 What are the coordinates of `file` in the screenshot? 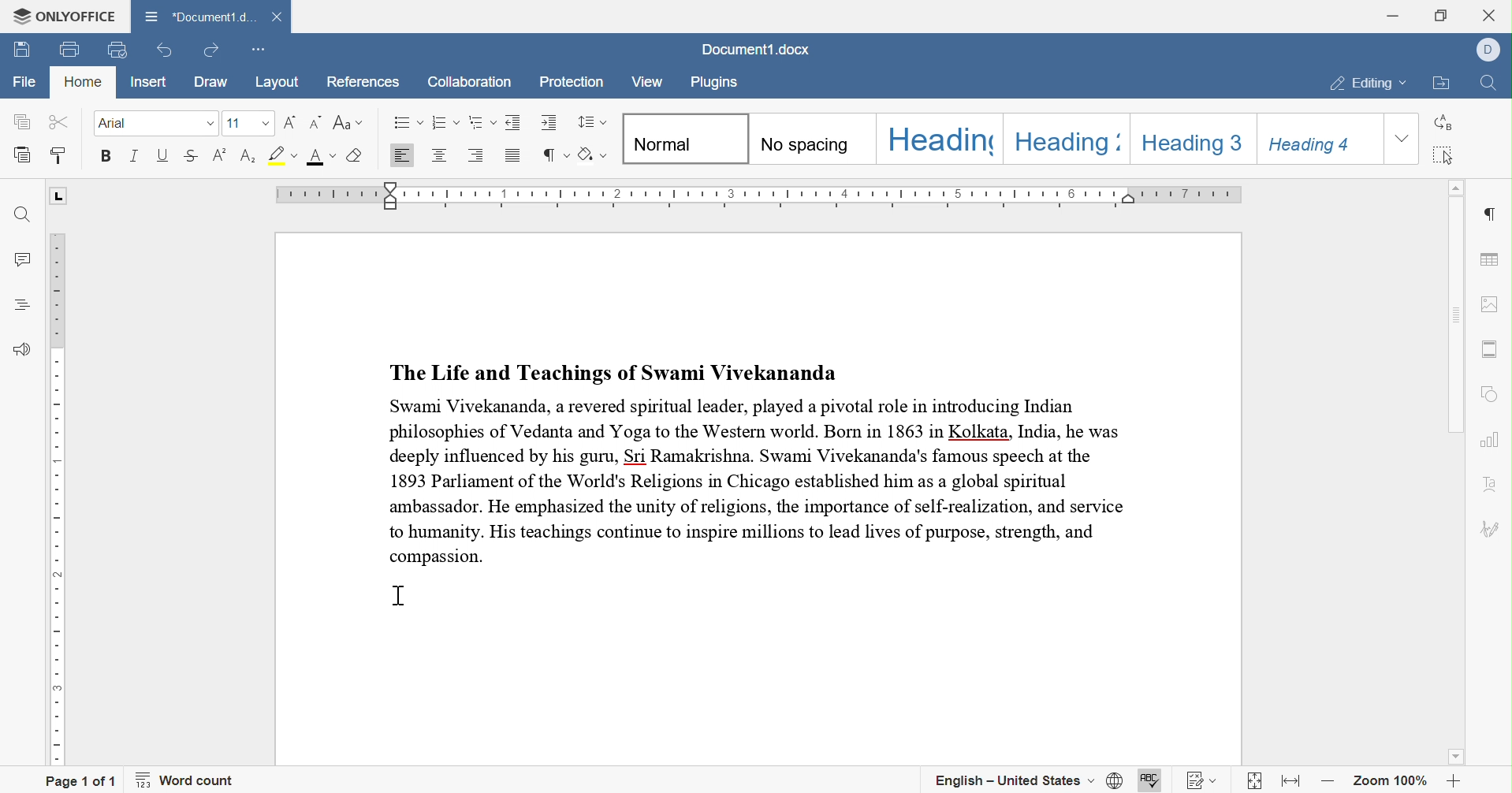 It's located at (25, 82).